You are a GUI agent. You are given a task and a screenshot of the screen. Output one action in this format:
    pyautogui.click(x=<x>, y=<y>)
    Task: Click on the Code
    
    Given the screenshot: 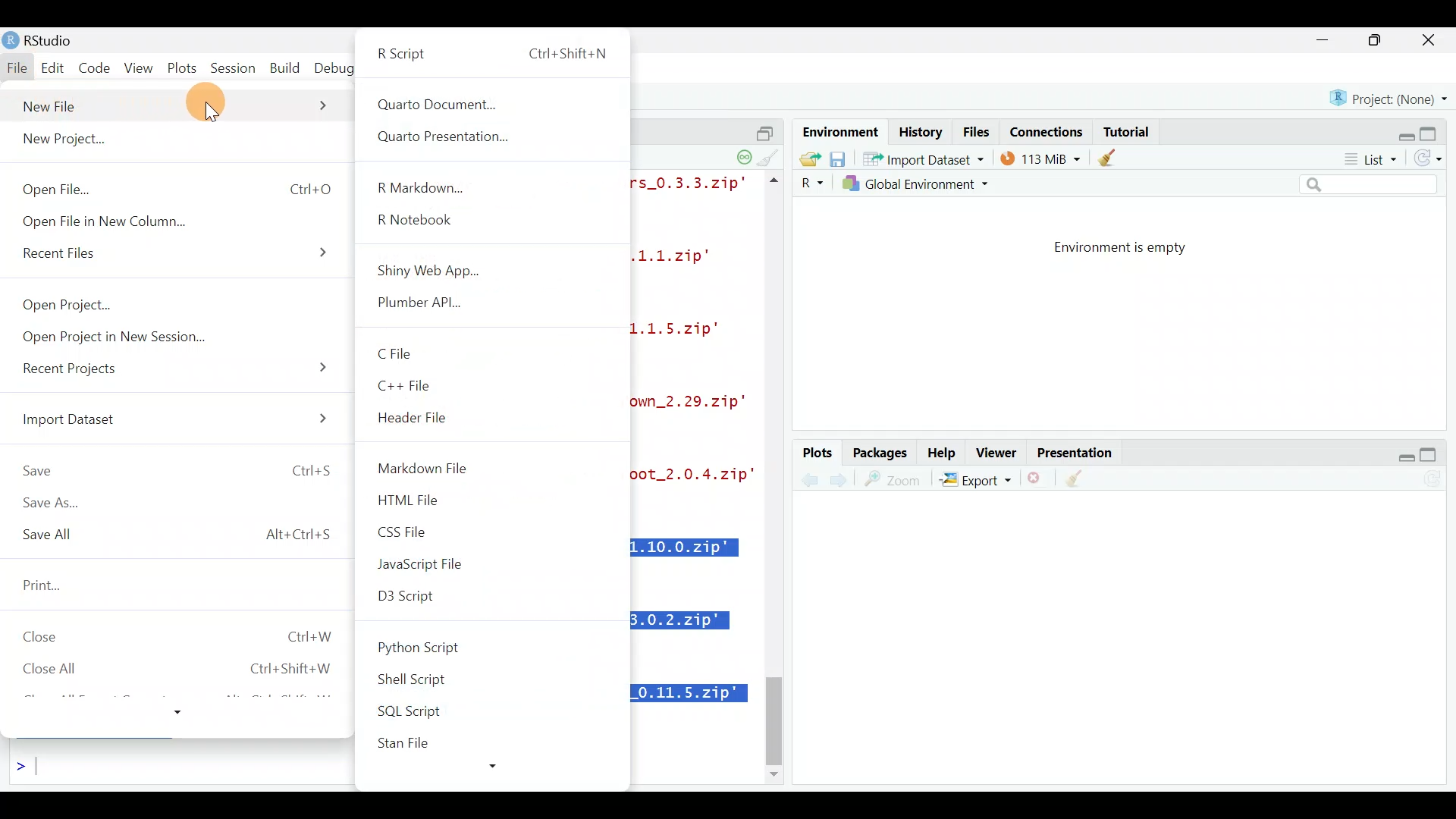 What is the action you would take?
    pyautogui.click(x=96, y=67)
    